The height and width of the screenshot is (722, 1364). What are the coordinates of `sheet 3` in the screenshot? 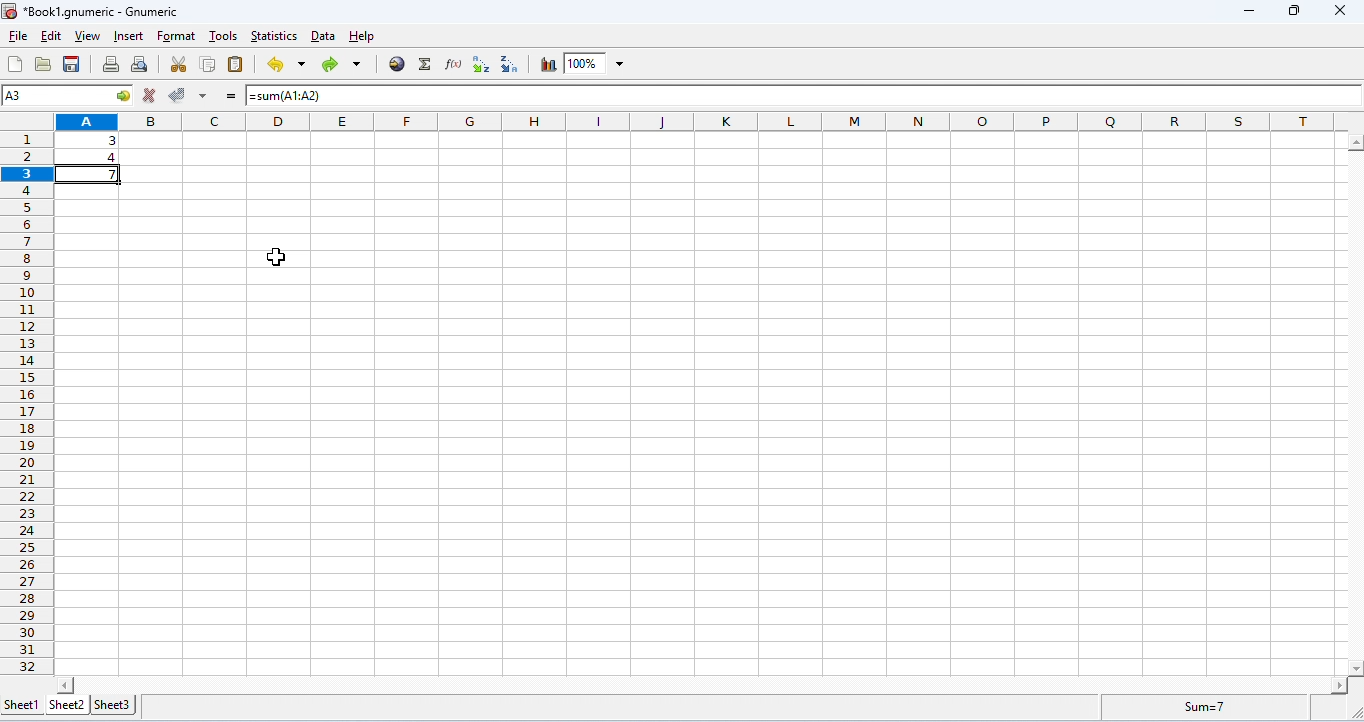 It's located at (113, 705).